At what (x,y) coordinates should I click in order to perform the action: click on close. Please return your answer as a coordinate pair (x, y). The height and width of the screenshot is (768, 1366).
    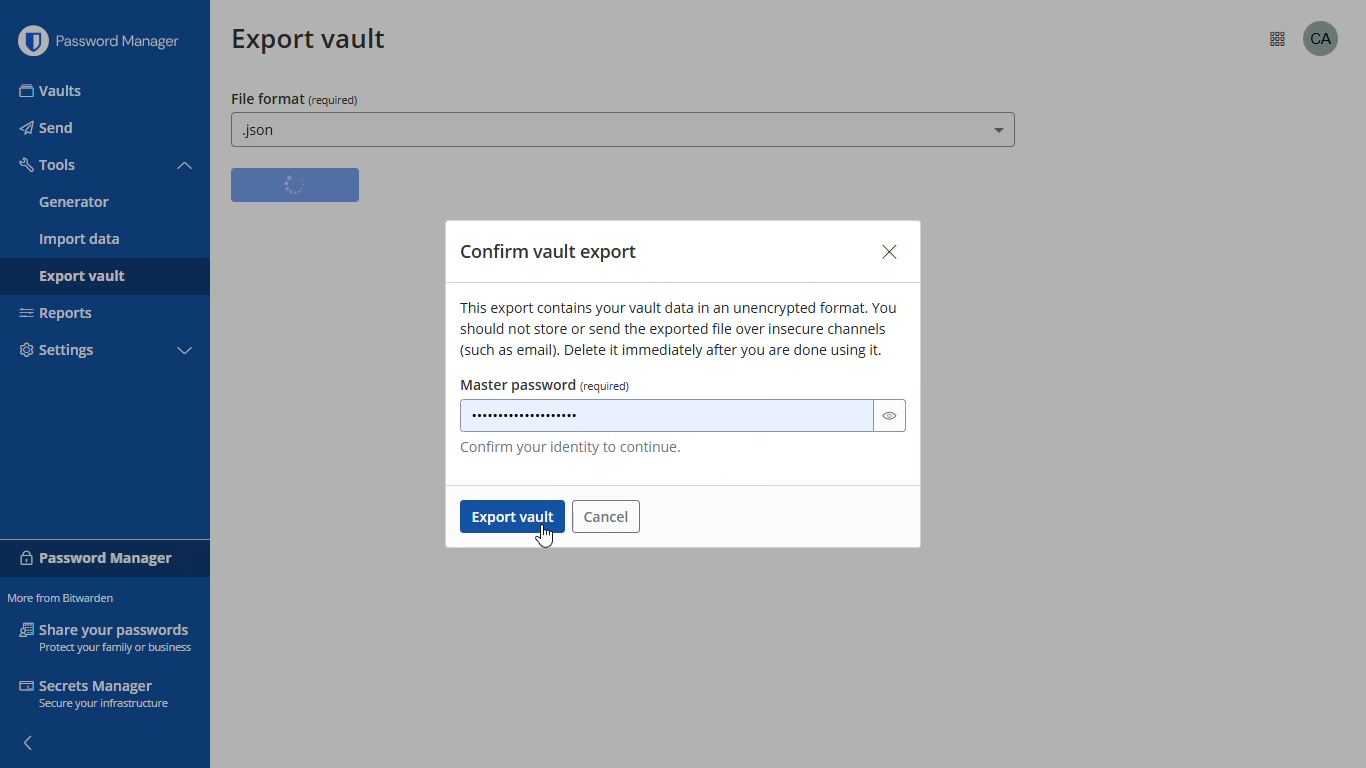
    Looking at the image, I should click on (891, 251).